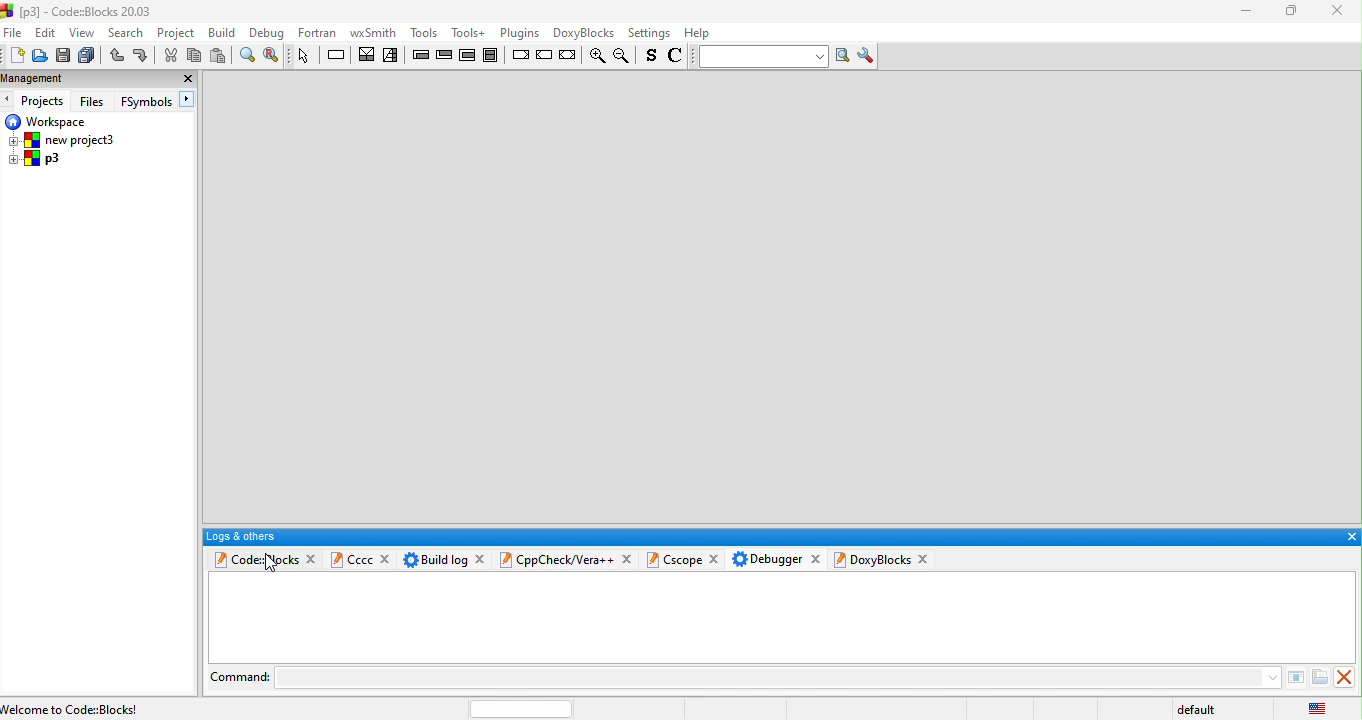 The height and width of the screenshot is (720, 1362). What do you see at coordinates (1319, 677) in the screenshot?
I see `load from file` at bounding box center [1319, 677].